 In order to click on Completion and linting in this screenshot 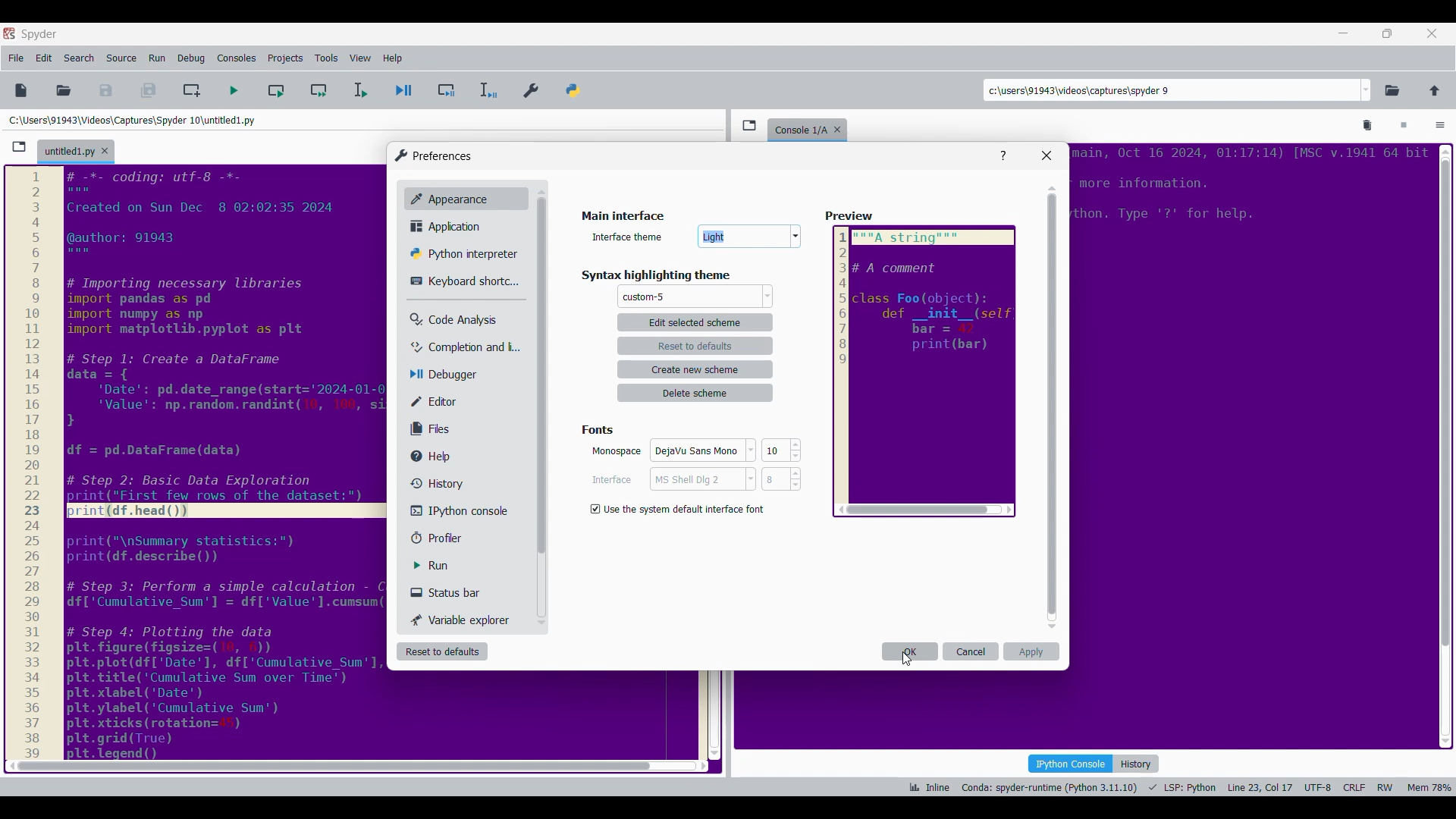, I will do `click(456, 347)`.